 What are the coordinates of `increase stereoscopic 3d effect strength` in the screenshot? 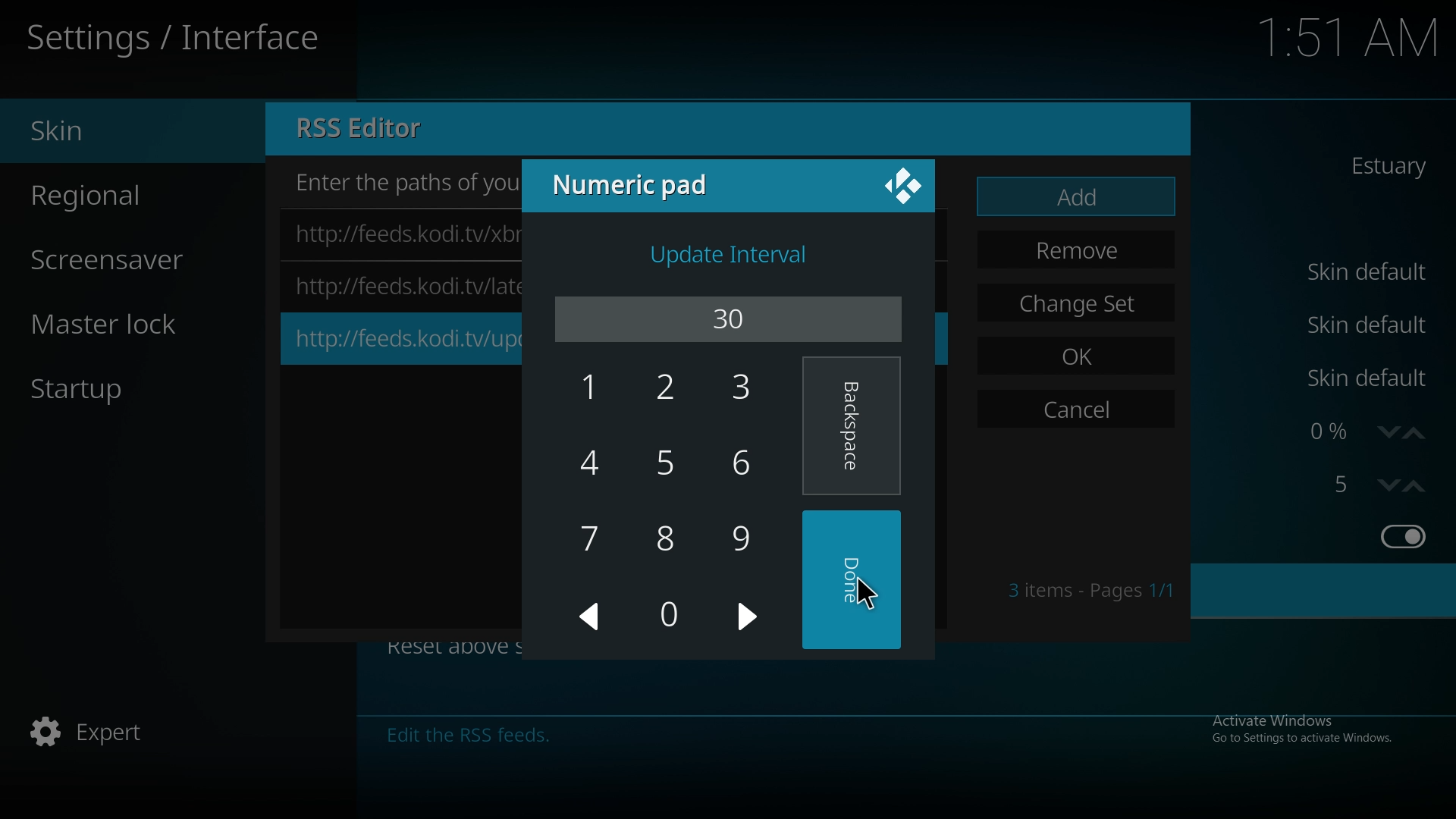 It's located at (1416, 485).